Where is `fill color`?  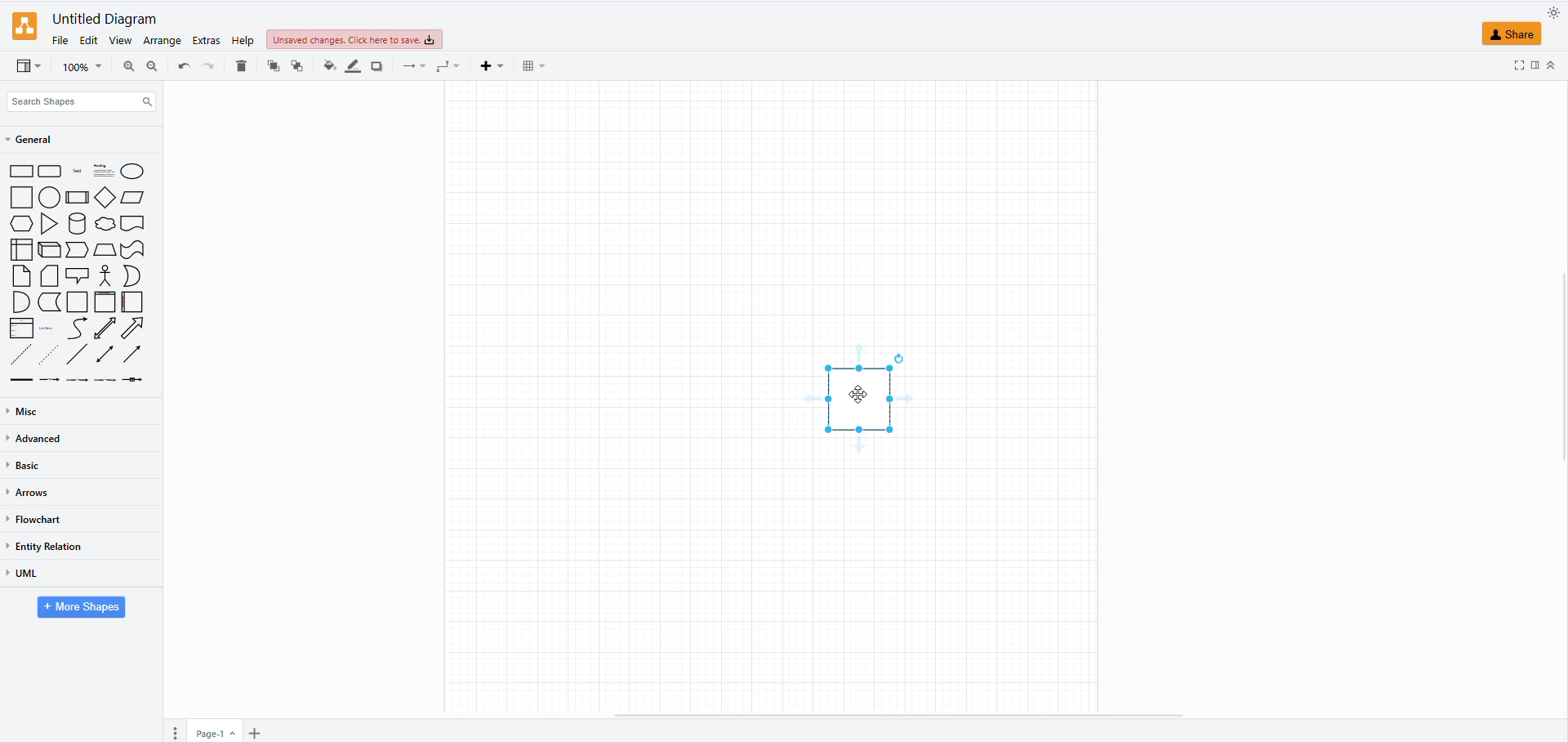
fill color is located at coordinates (326, 69).